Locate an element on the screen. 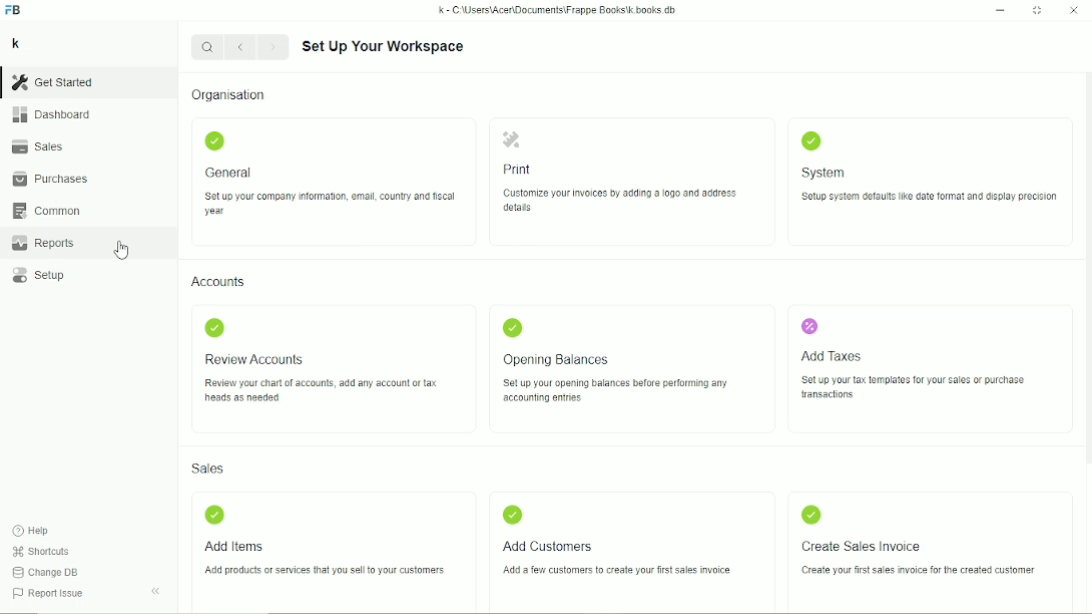  Previous is located at coordinates (242, 48).